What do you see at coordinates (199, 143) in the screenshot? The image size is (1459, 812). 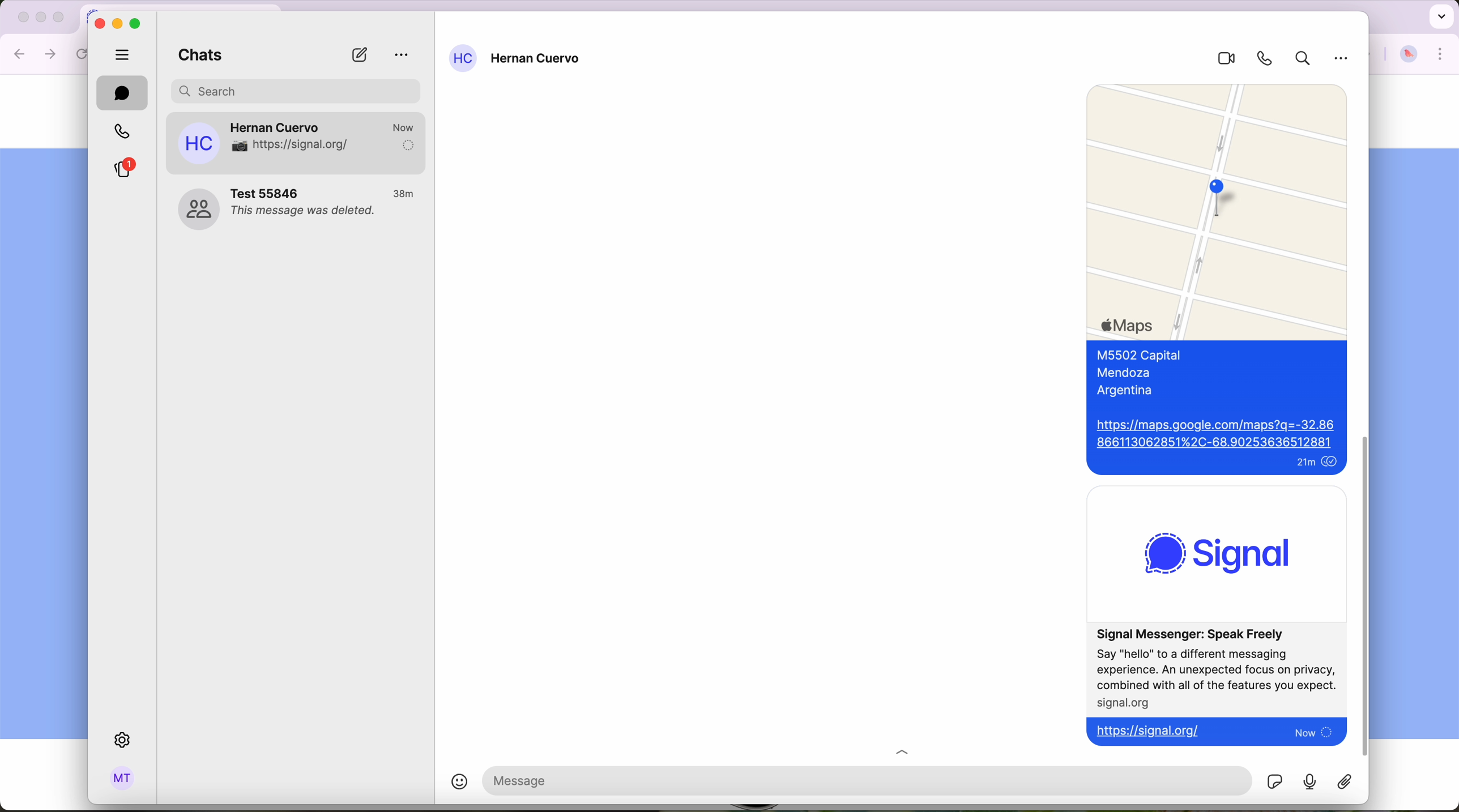 I see `profile icon` at bounding box center [199, 143].